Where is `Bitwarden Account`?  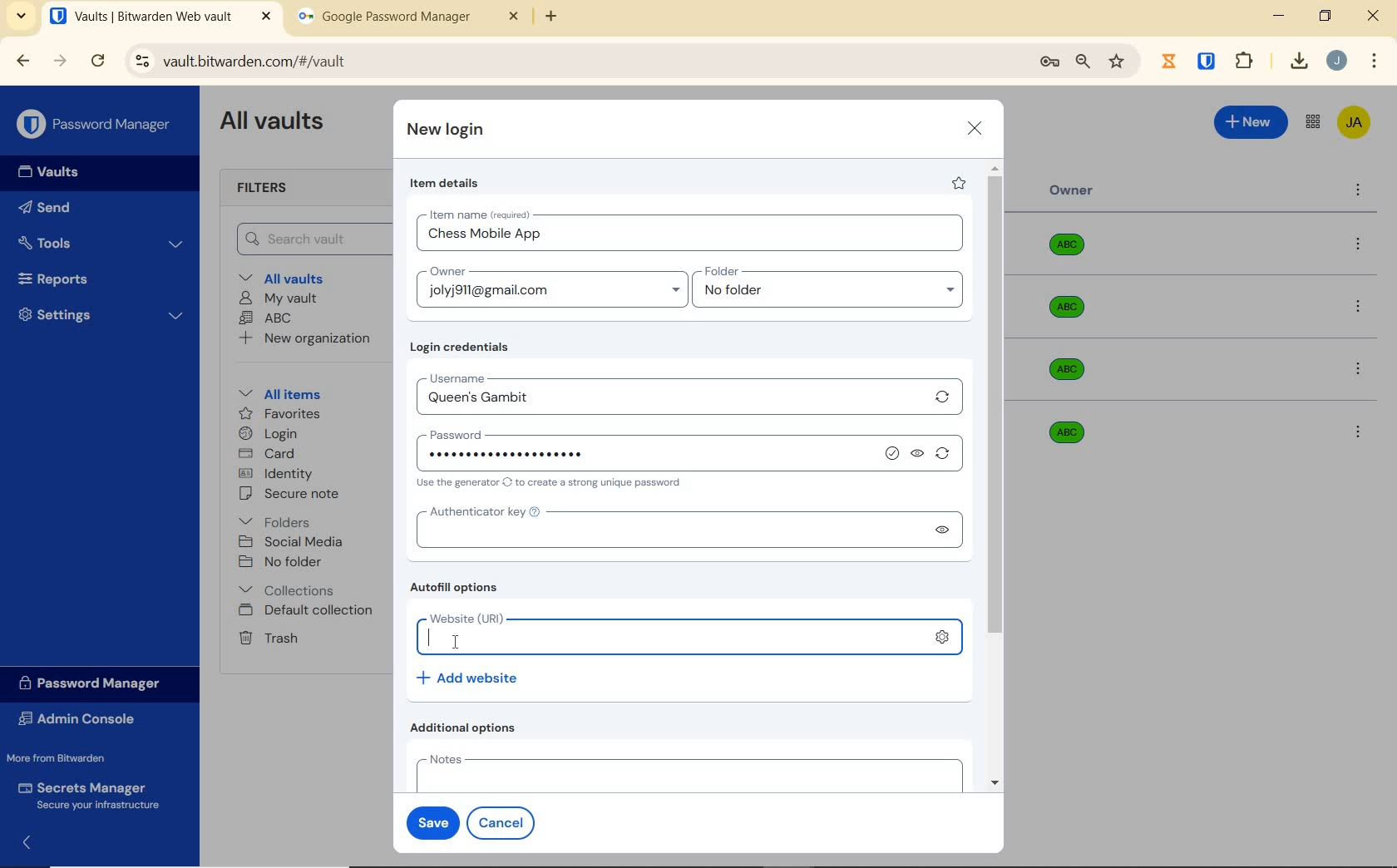
Bitwarden Account is located at coordinates (1354, 124).